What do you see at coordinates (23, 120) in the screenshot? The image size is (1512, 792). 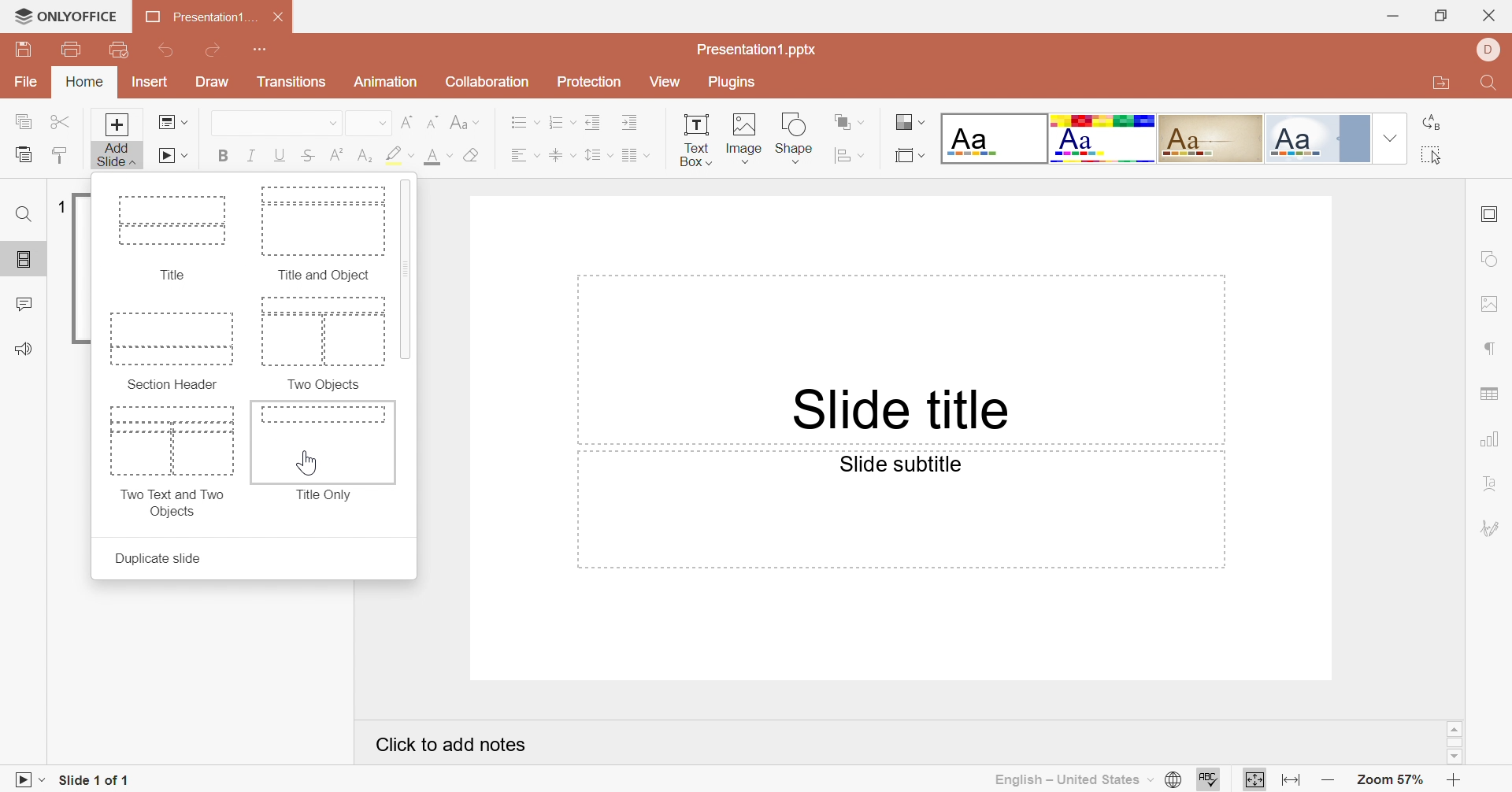 I see `Copy` at bounding box center [23, 120].